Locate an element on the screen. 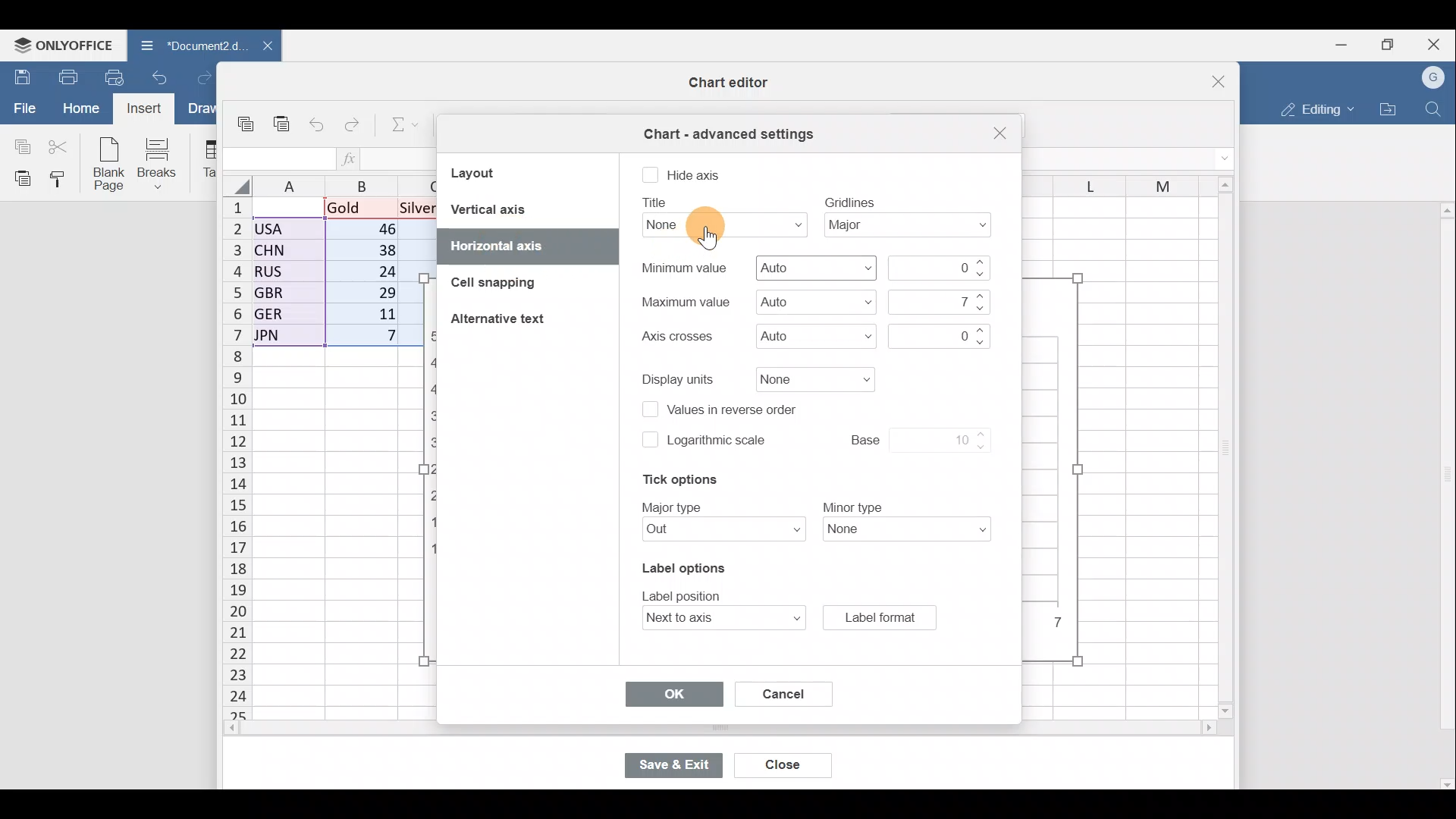  Maximum value is located at coordinates (814, 302).